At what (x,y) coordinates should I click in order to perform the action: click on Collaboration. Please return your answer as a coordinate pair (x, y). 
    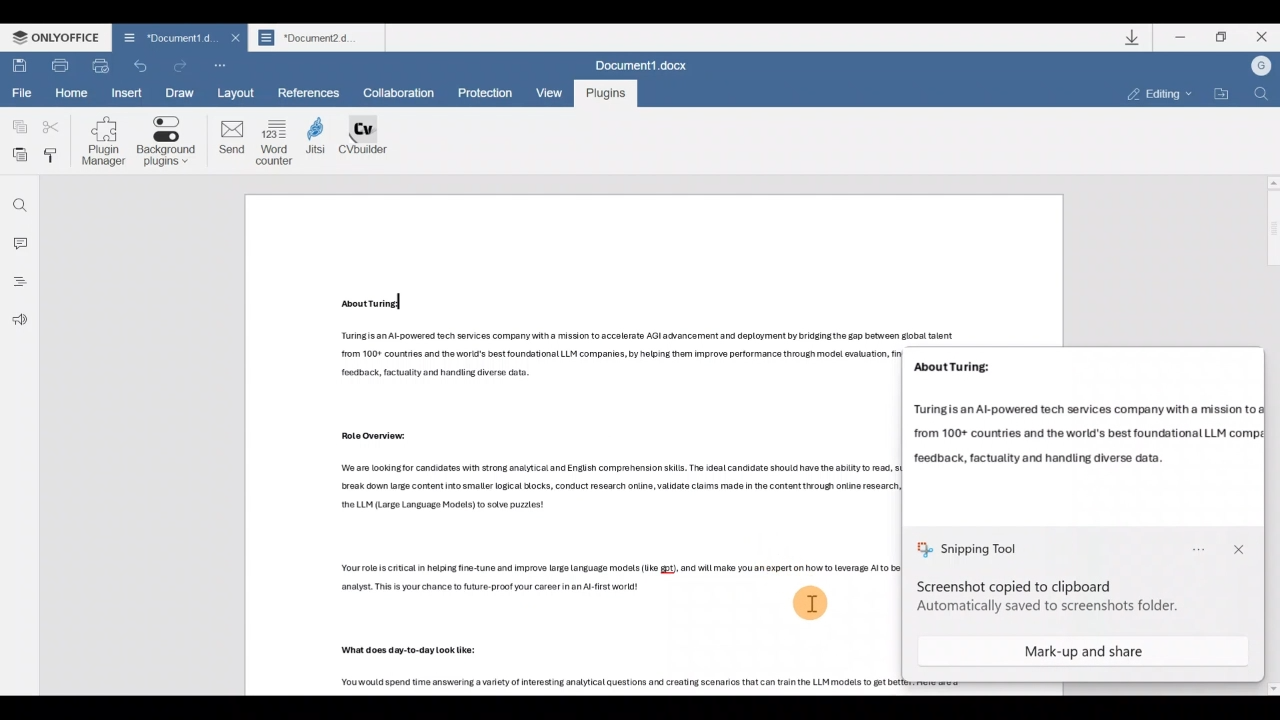
    Looking at the image, I should click on (396, 91).